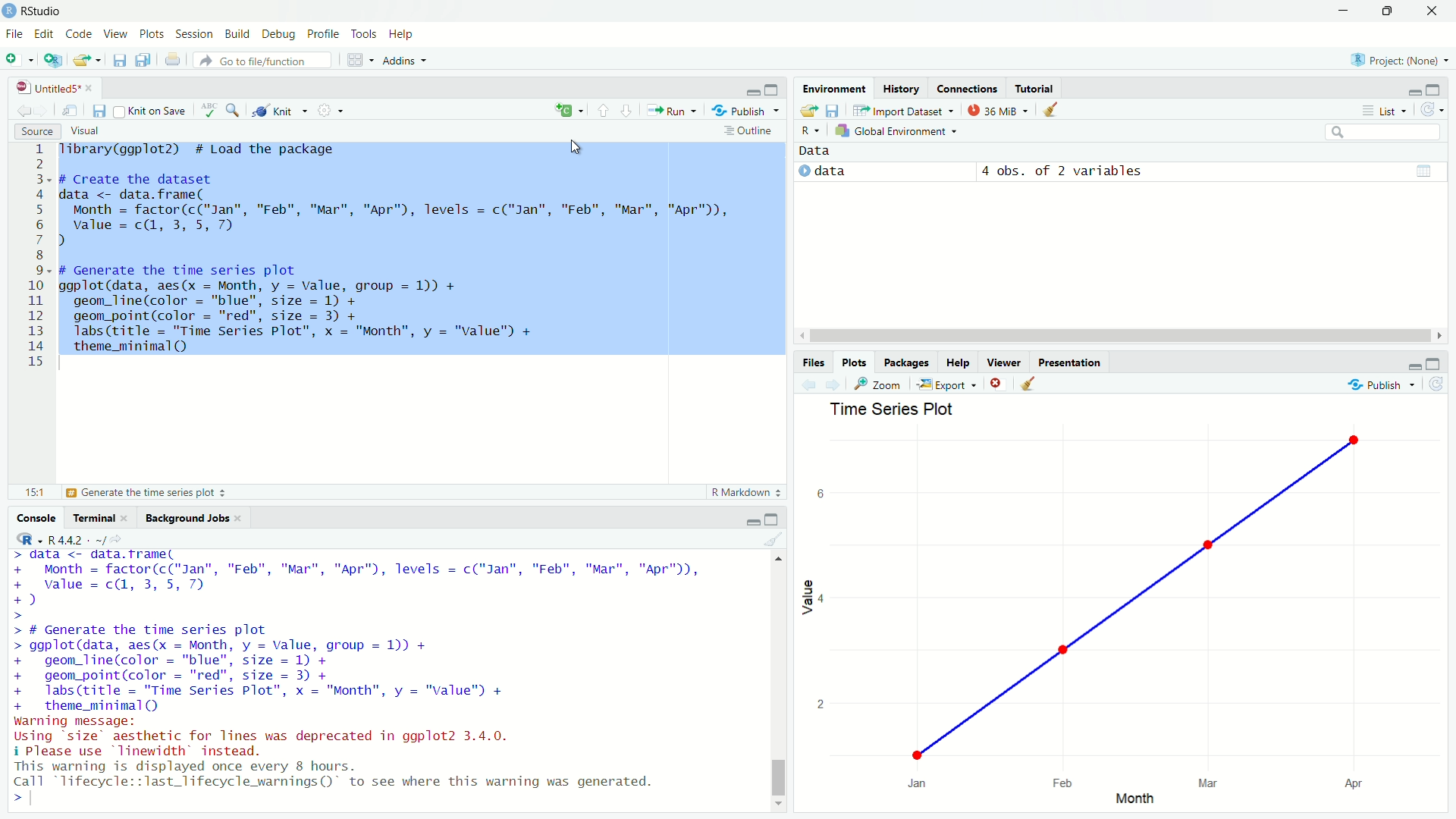  I want to click on move down, so click(780, 808).